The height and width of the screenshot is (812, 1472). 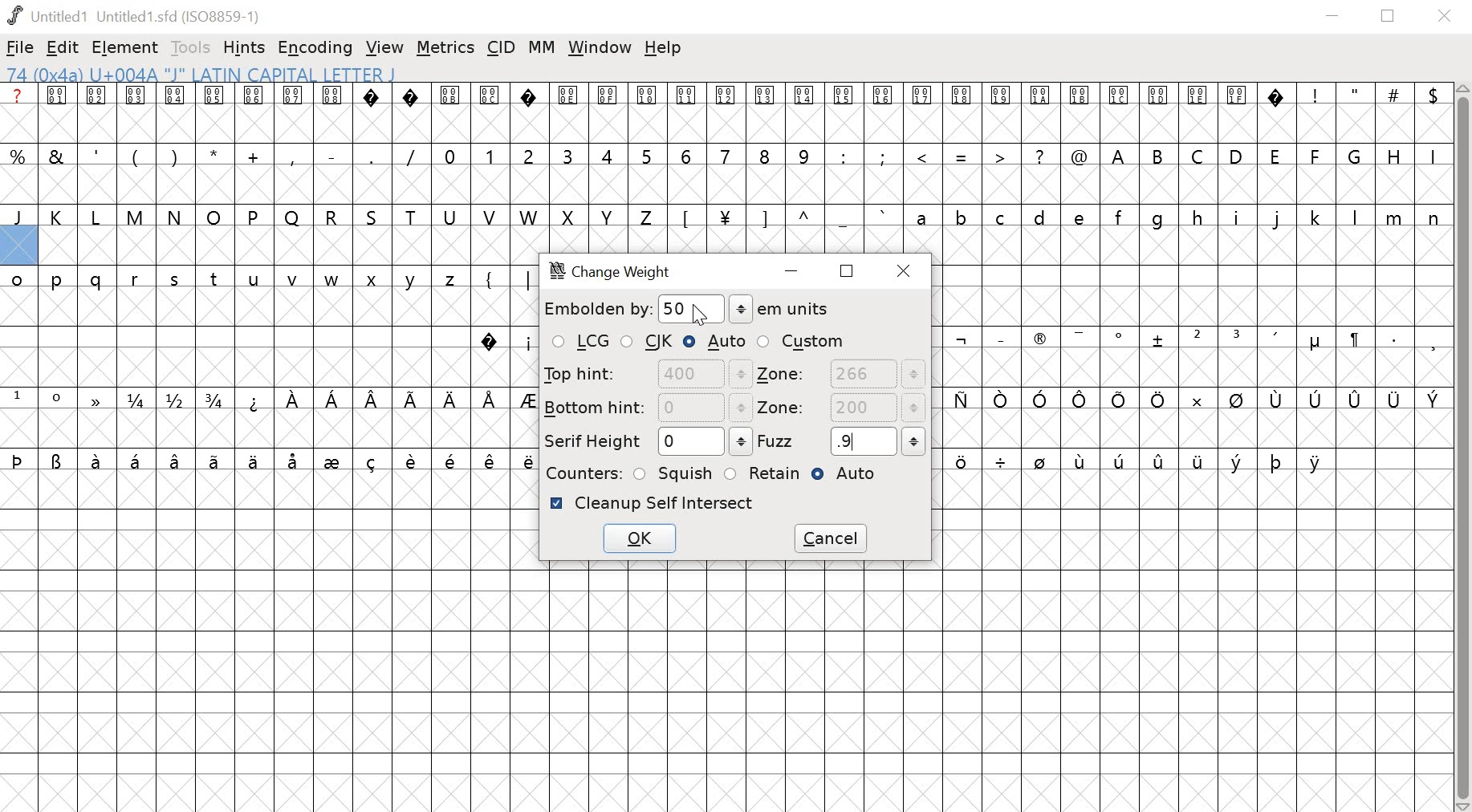 What do you see at coordinates (384, 49) in the screenshot?
I see `VIEW` at bounding box center [384, 49].